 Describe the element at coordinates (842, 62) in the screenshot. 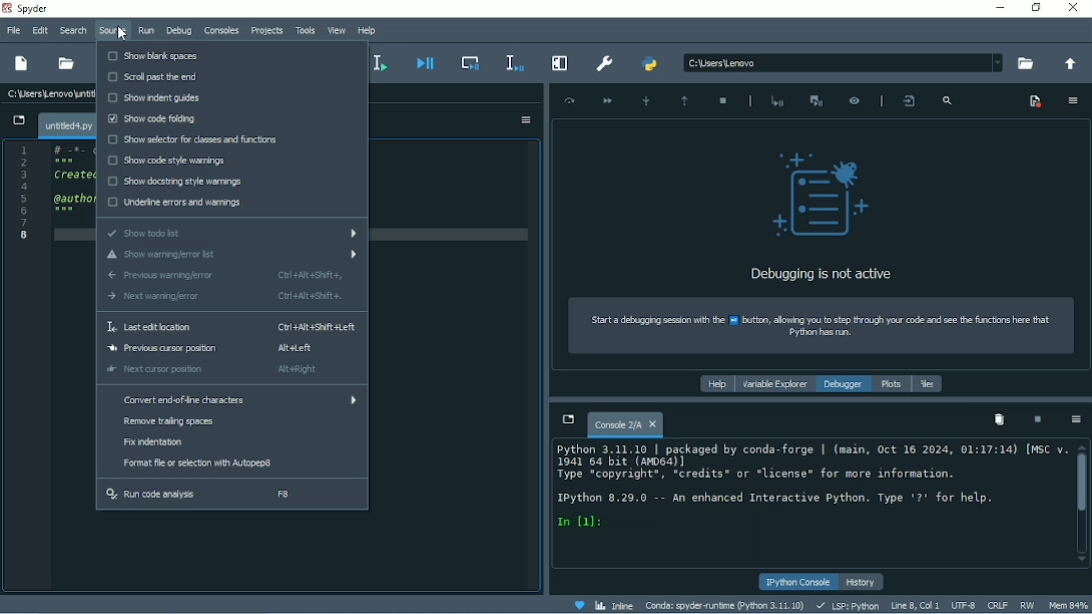

I see `File Location` at that location.